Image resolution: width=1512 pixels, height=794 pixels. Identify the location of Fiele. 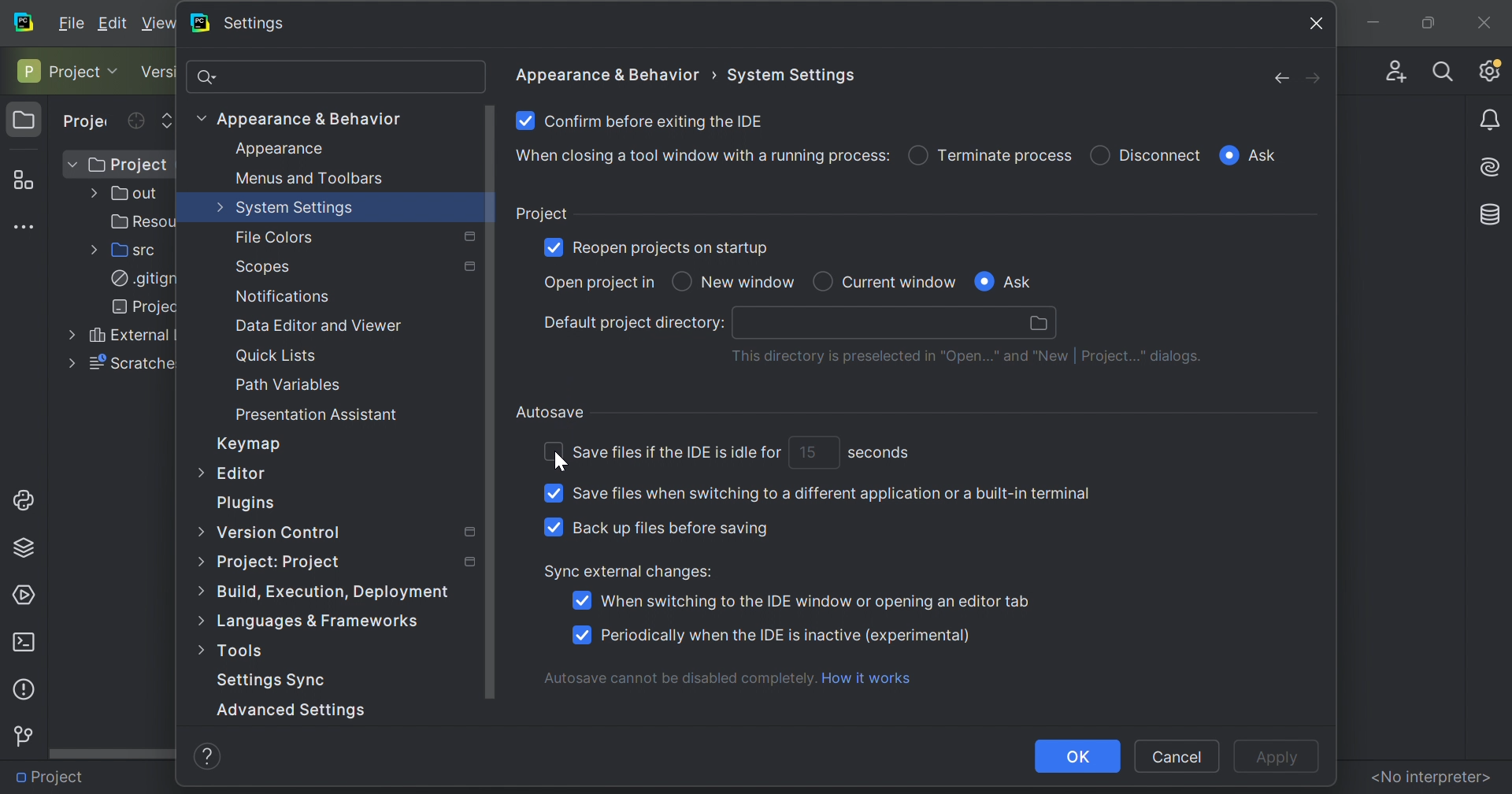
(73, 21).